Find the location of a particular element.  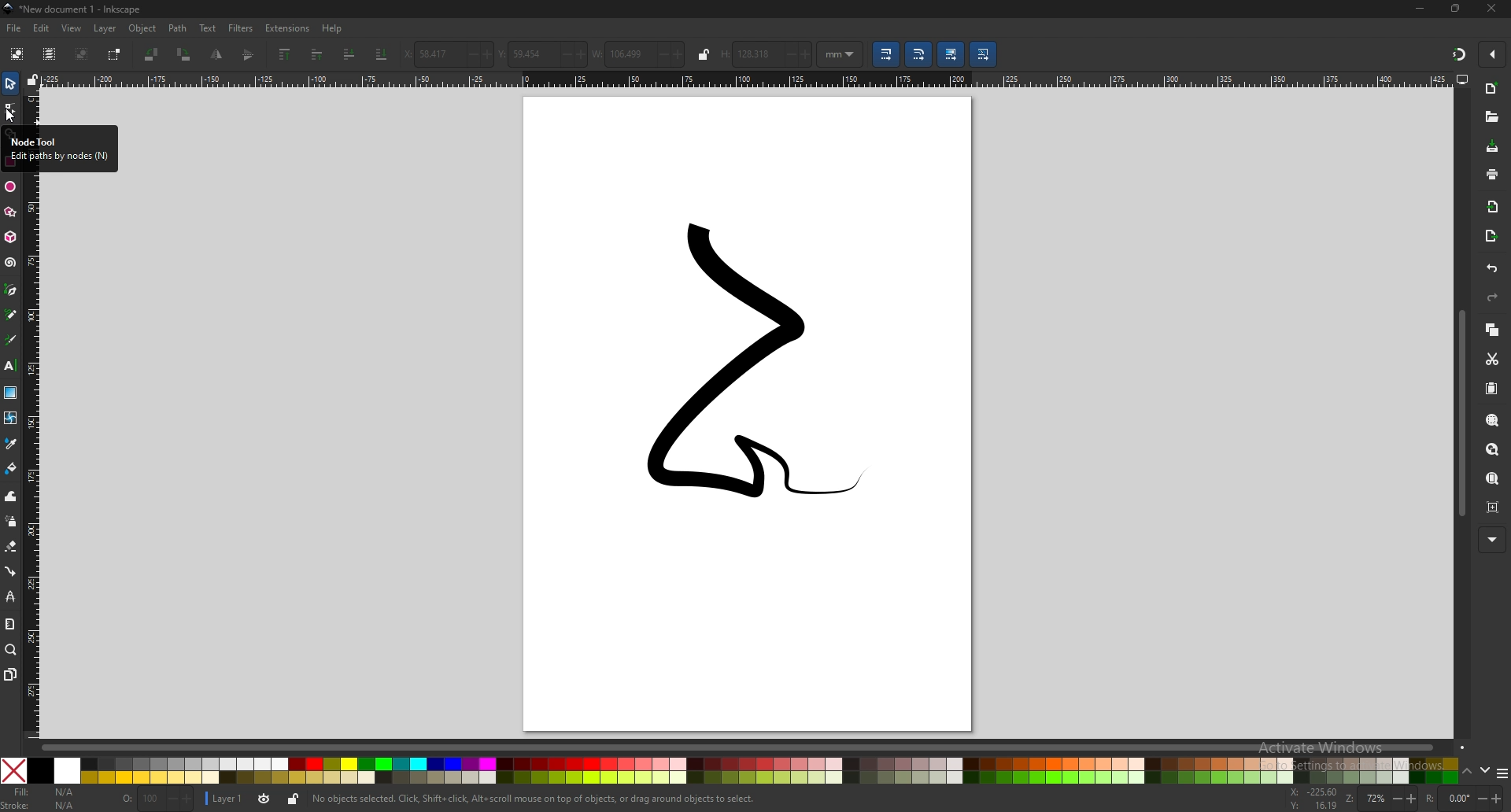

save is located at coordinates (1491, 148).